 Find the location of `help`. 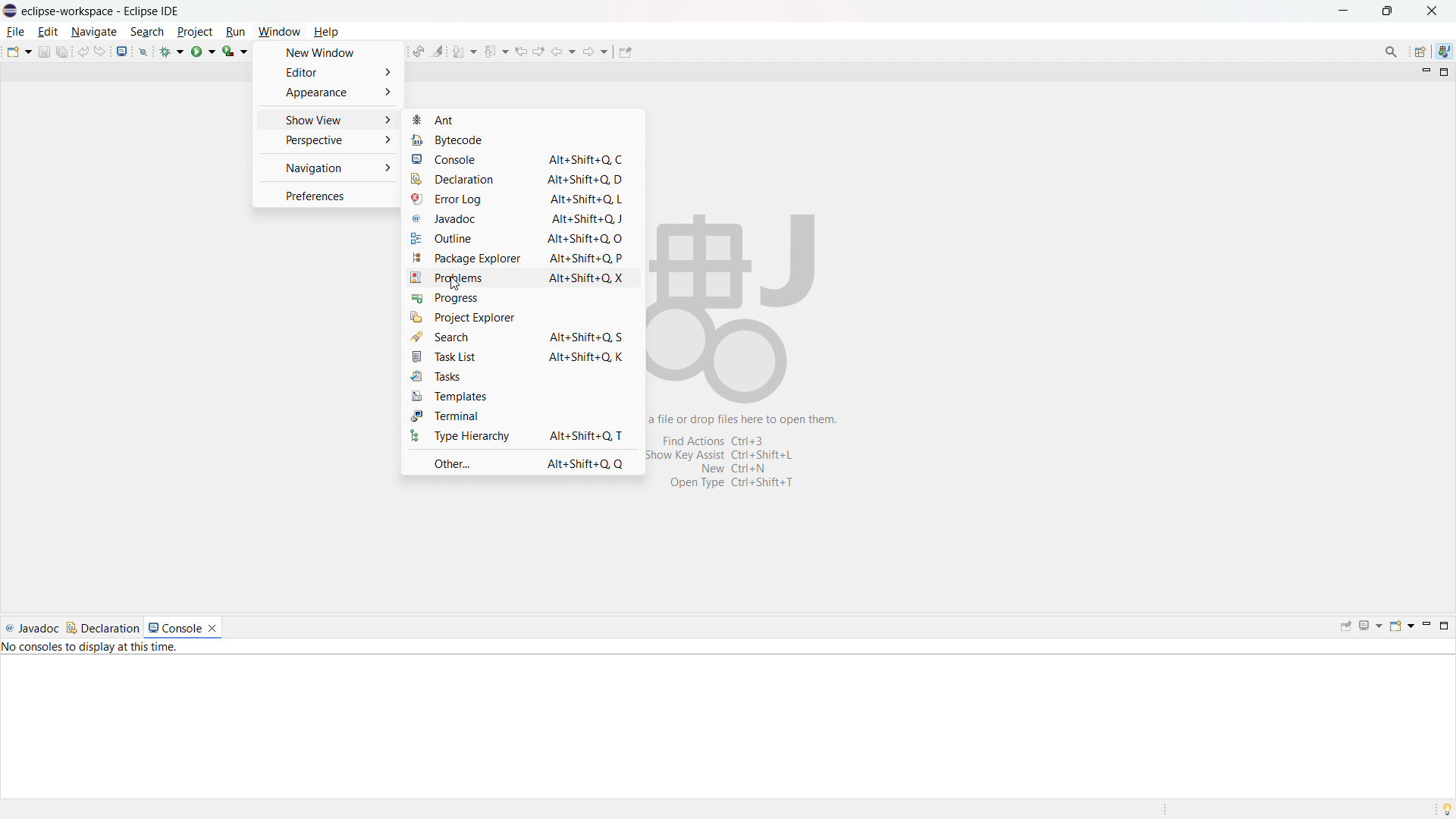

help is located at coordinates (326, 32).